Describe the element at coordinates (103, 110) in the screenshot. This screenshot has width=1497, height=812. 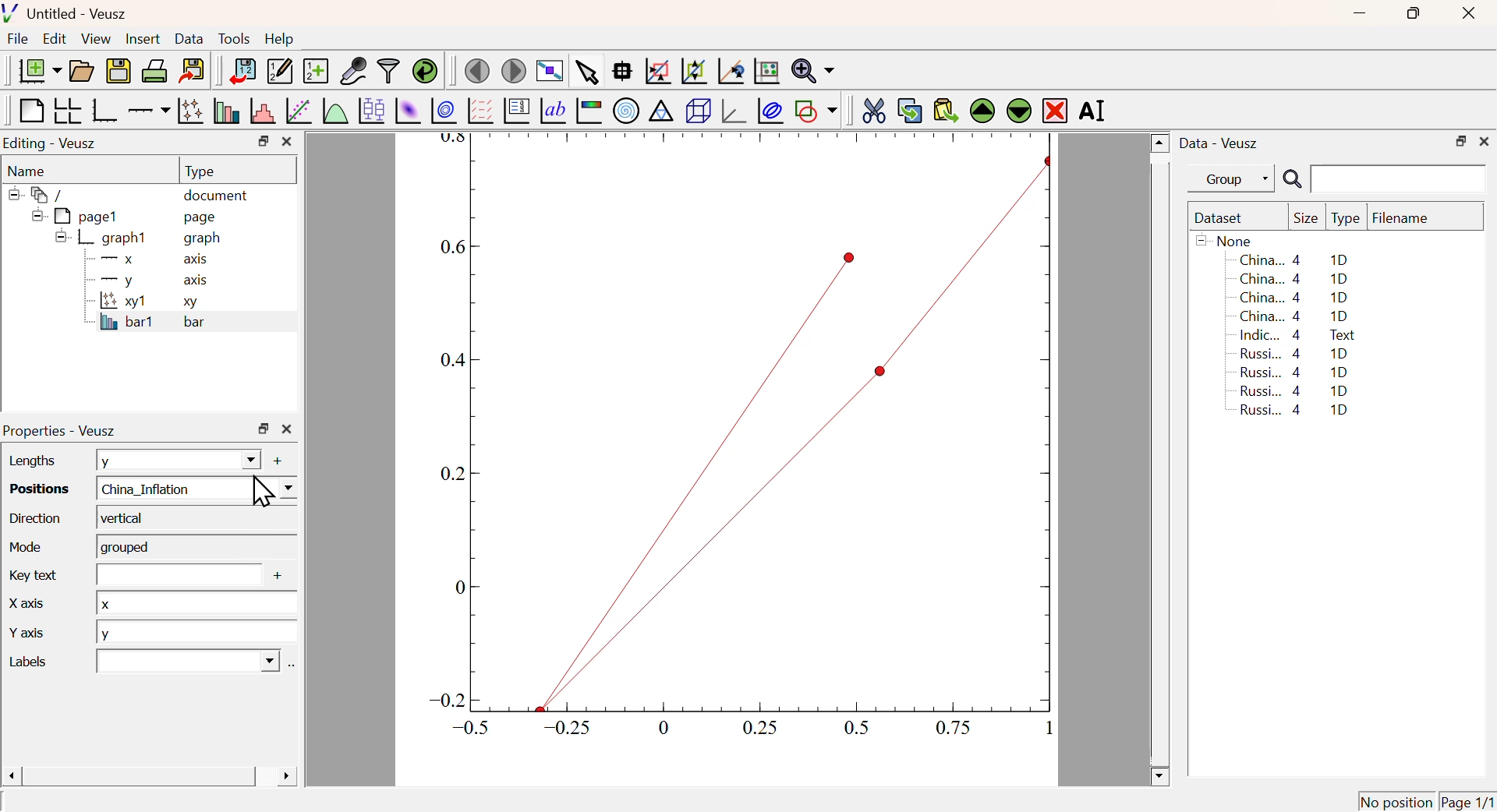
I see `Base Graph` at that location.